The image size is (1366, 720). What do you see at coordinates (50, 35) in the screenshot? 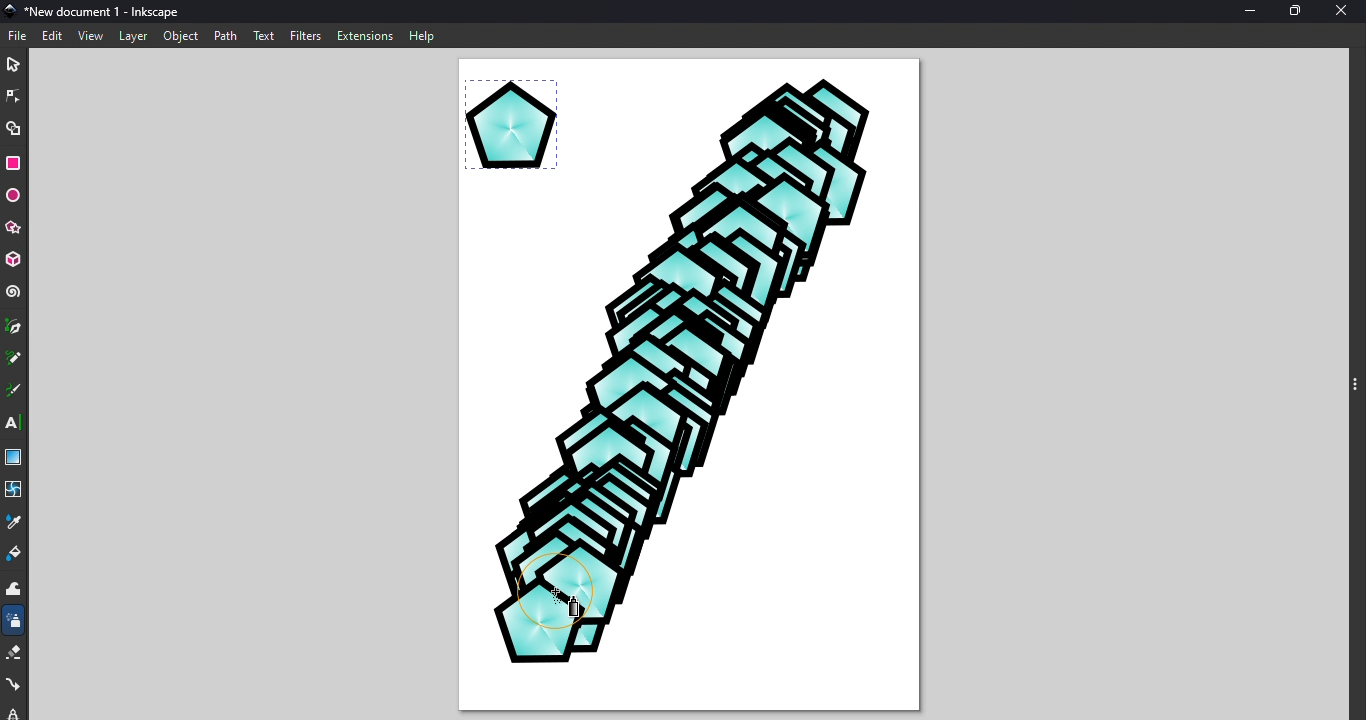
I see `Edit` at bounding box center [50, 35].